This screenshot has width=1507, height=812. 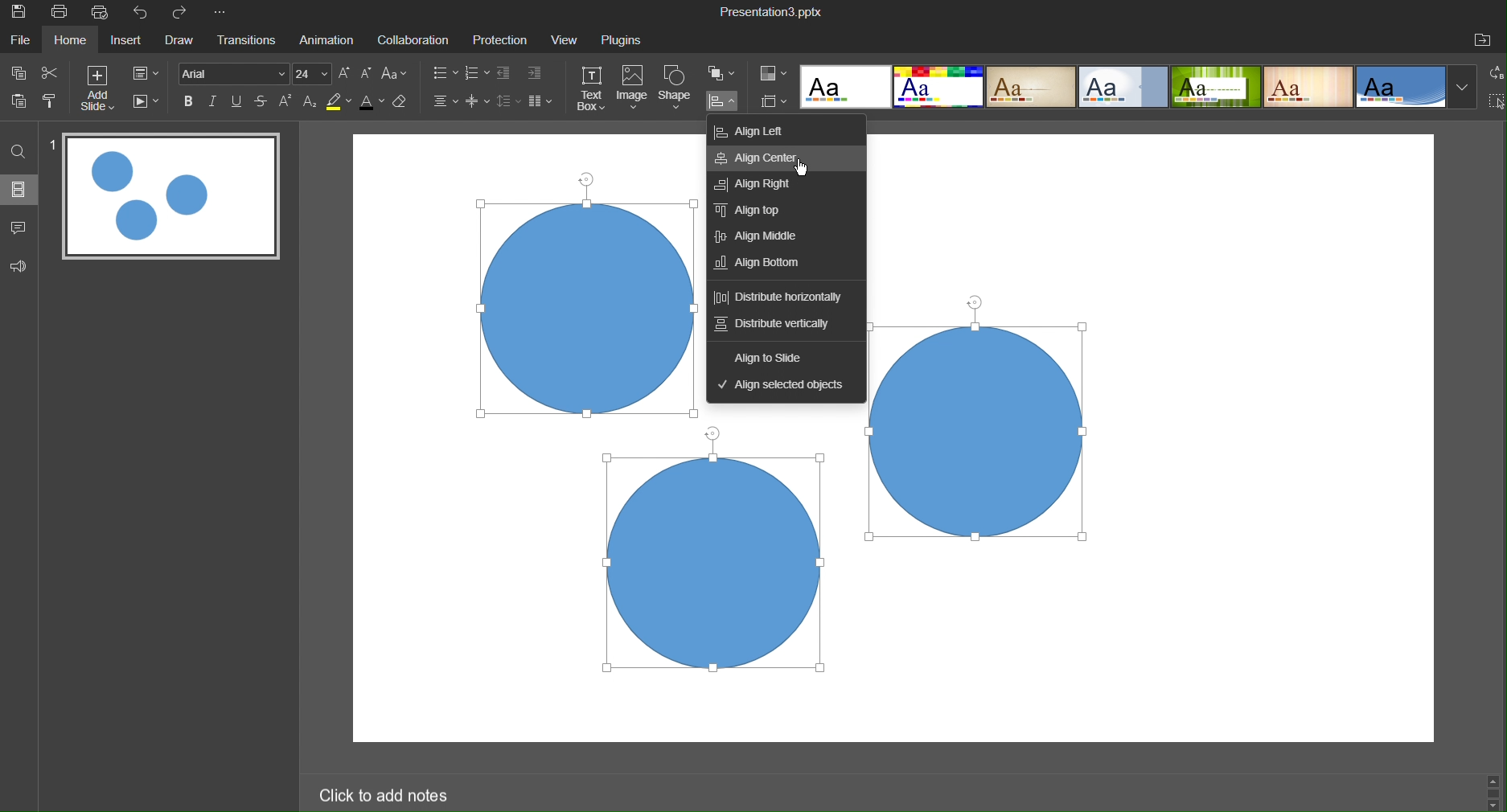 I want to click on Scroll up, so click(x=1497, y=777).